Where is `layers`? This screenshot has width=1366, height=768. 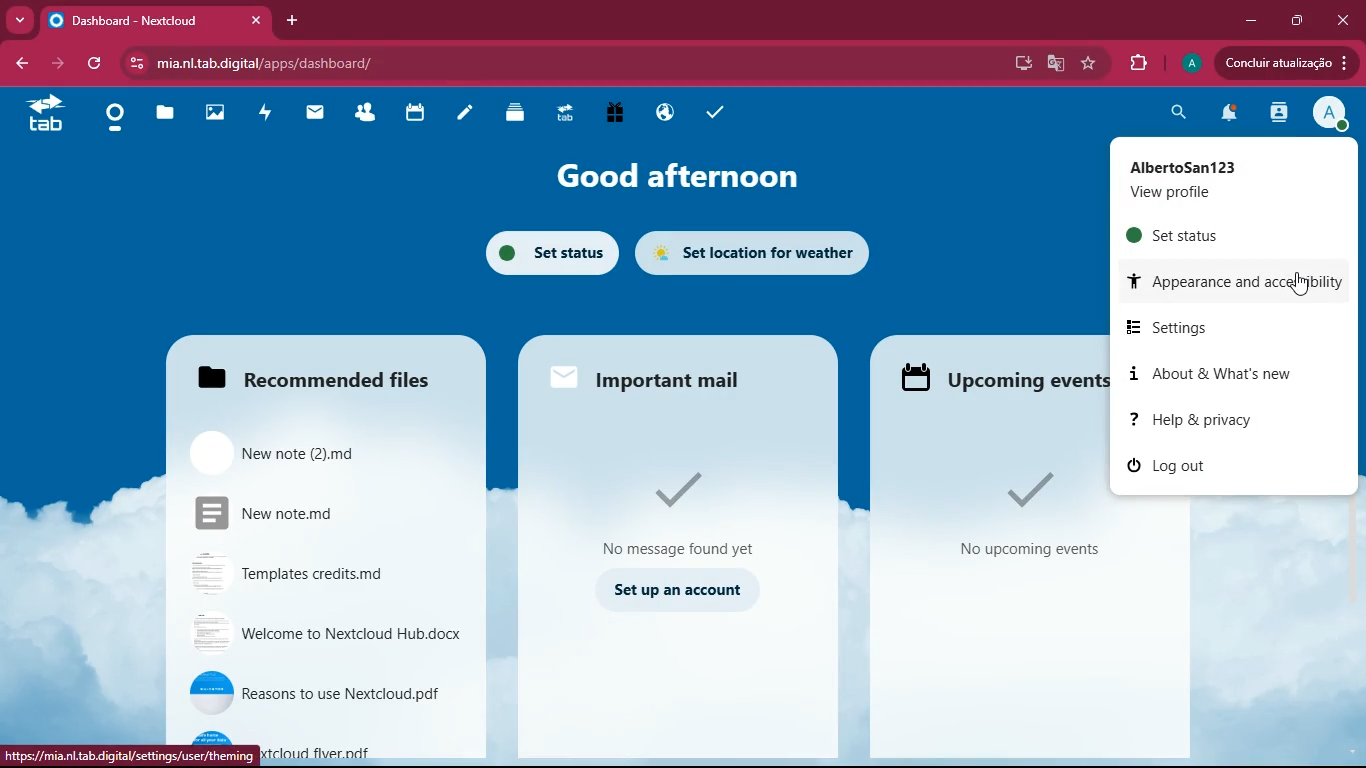
layers is located at coordinates (519, 113).